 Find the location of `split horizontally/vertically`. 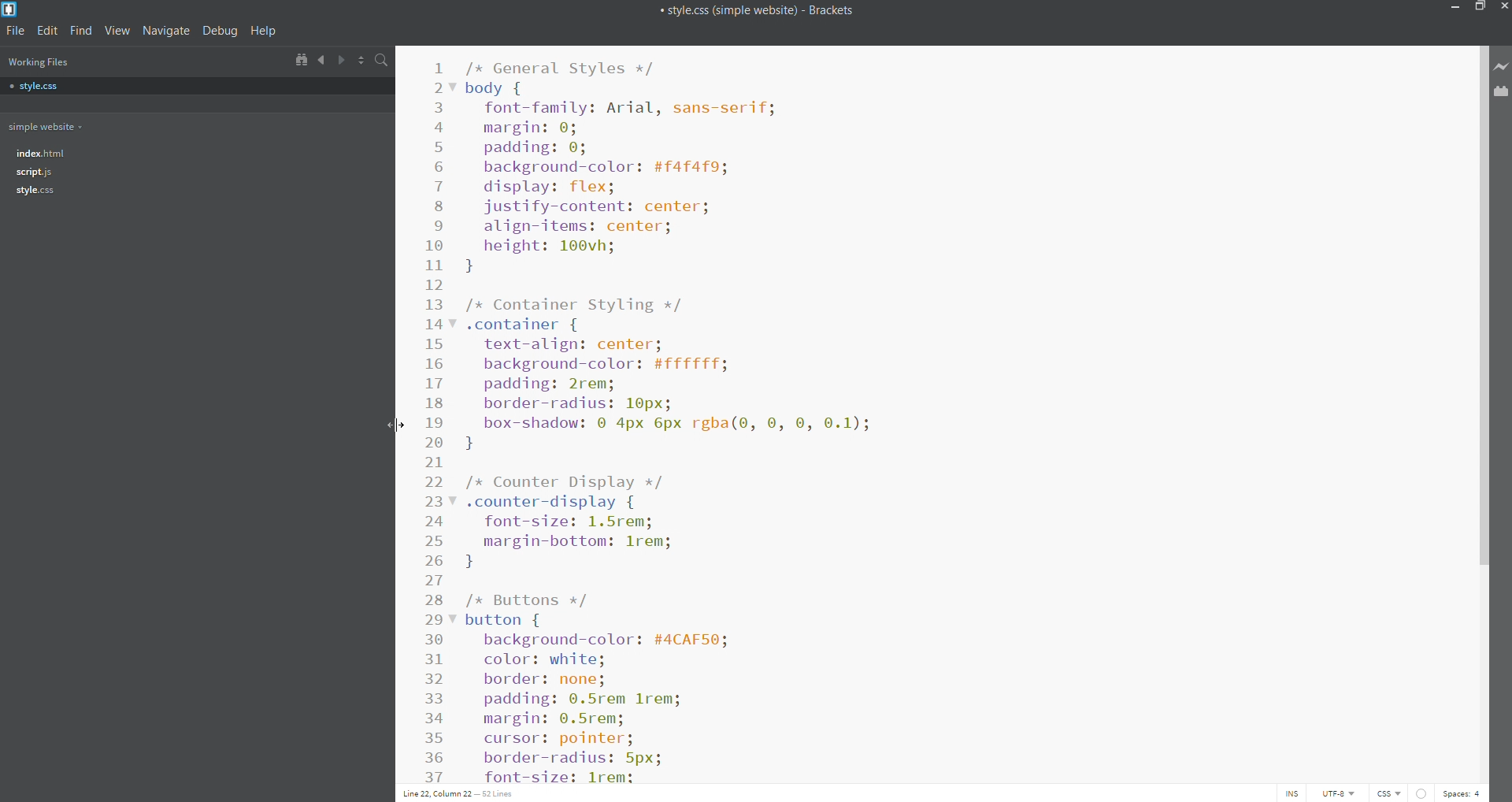

split horizontally/vertically is located at coordinates (361, 58).